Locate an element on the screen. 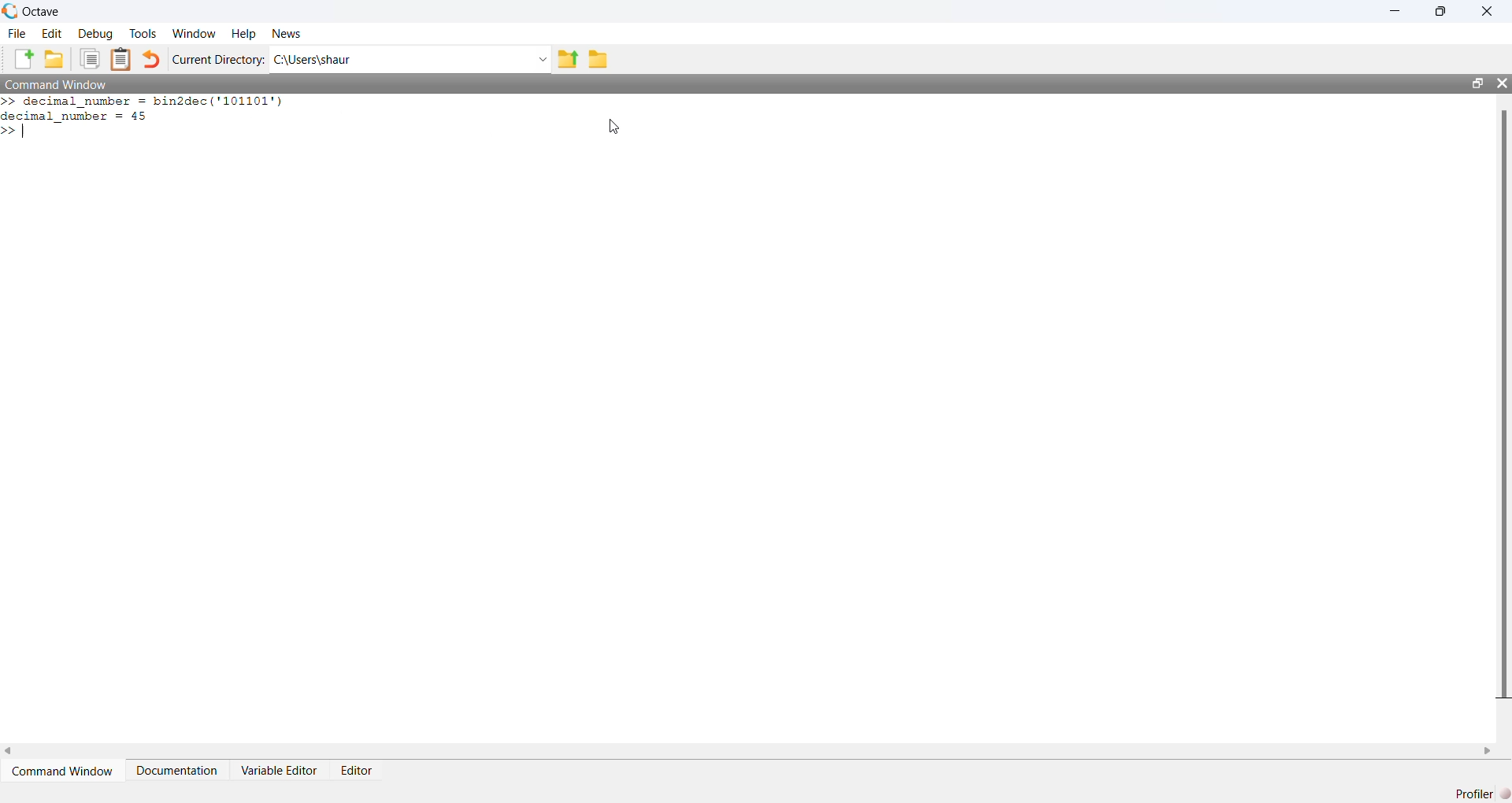 The width and height of the screenshot is (1512, 803). >> is located at coordinates (9, 102).